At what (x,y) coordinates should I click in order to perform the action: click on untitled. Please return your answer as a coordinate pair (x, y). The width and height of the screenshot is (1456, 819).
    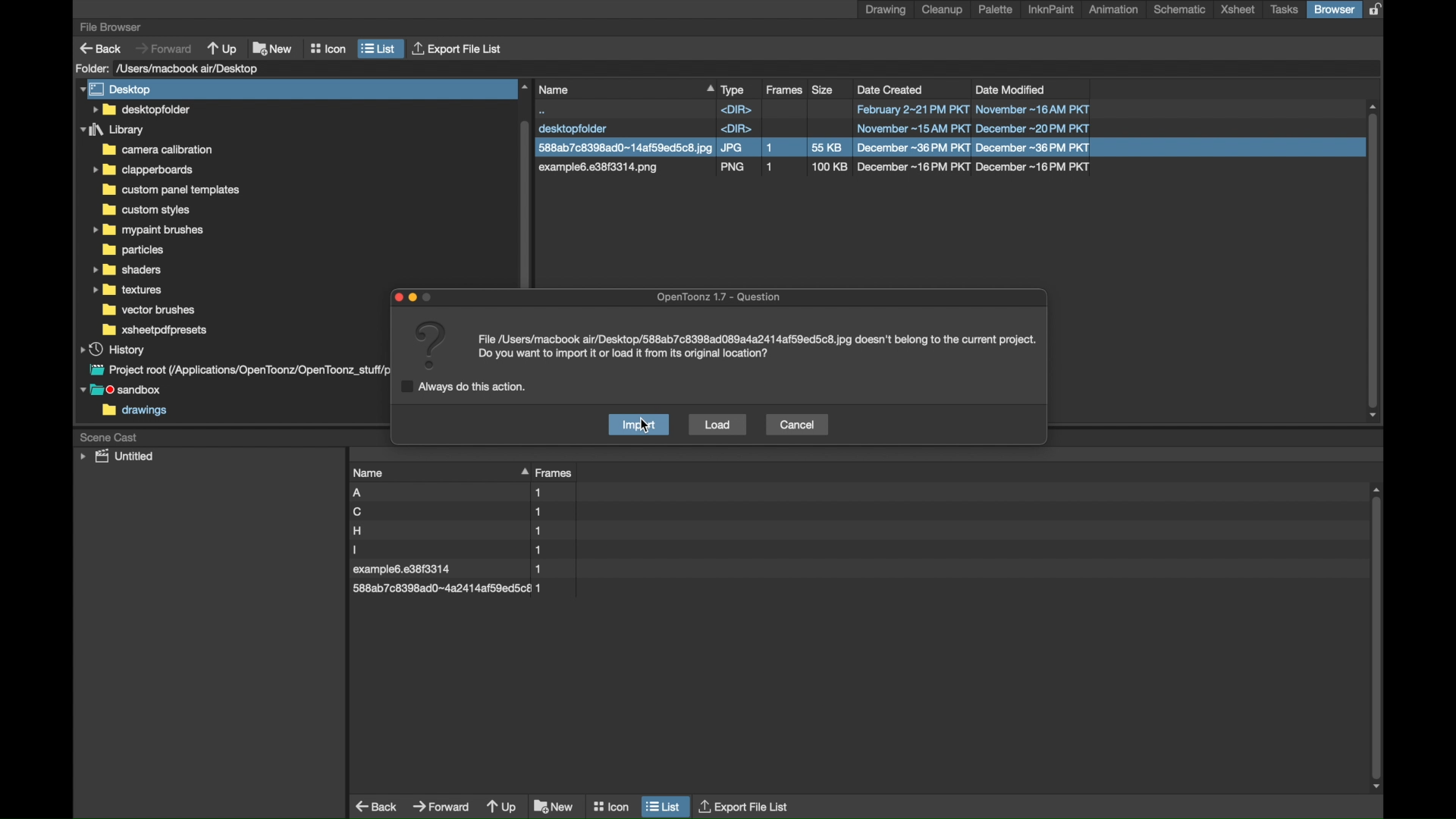
    Looking at the image, I should click on (117, 457).